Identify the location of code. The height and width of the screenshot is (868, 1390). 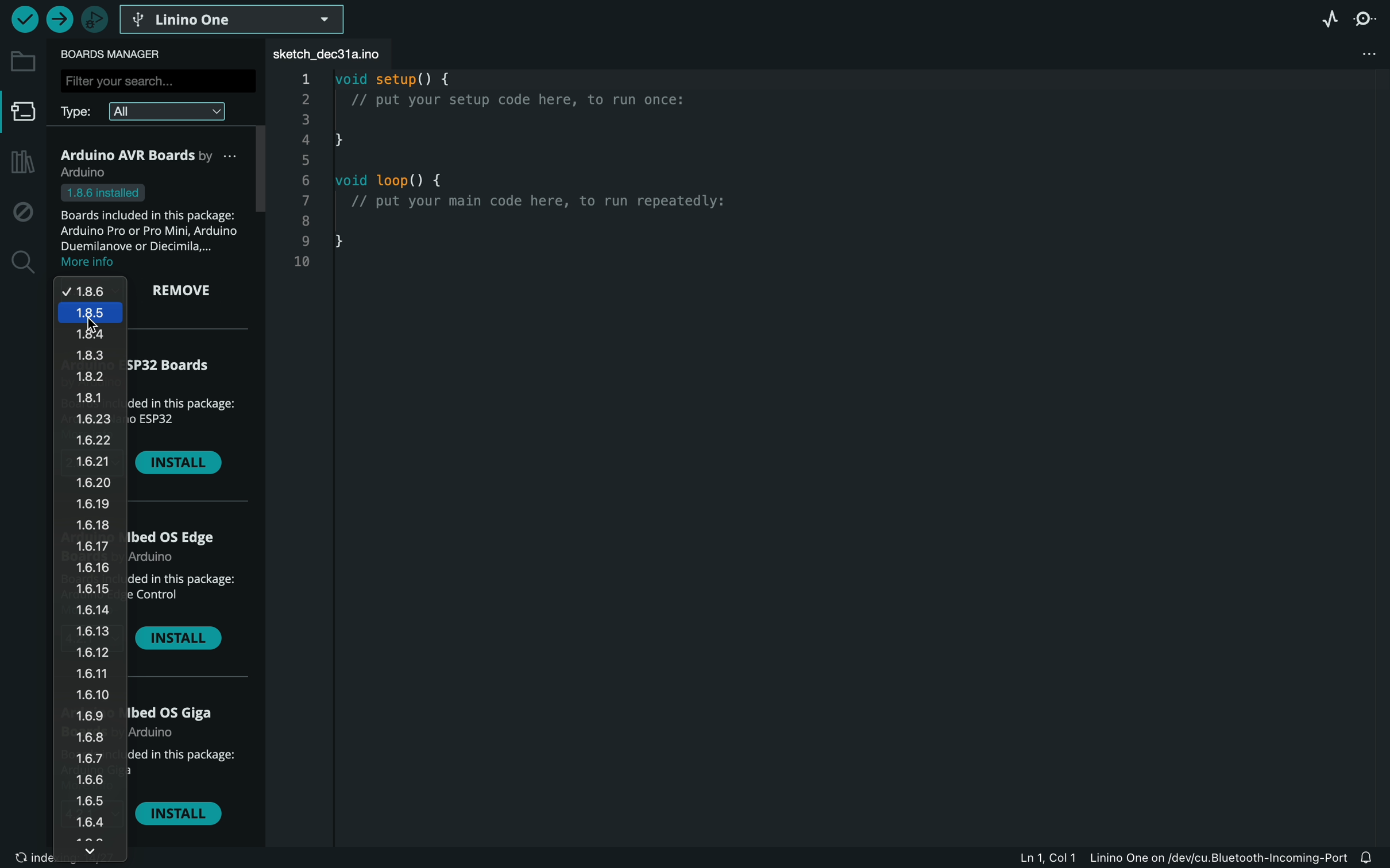
(562, 193).